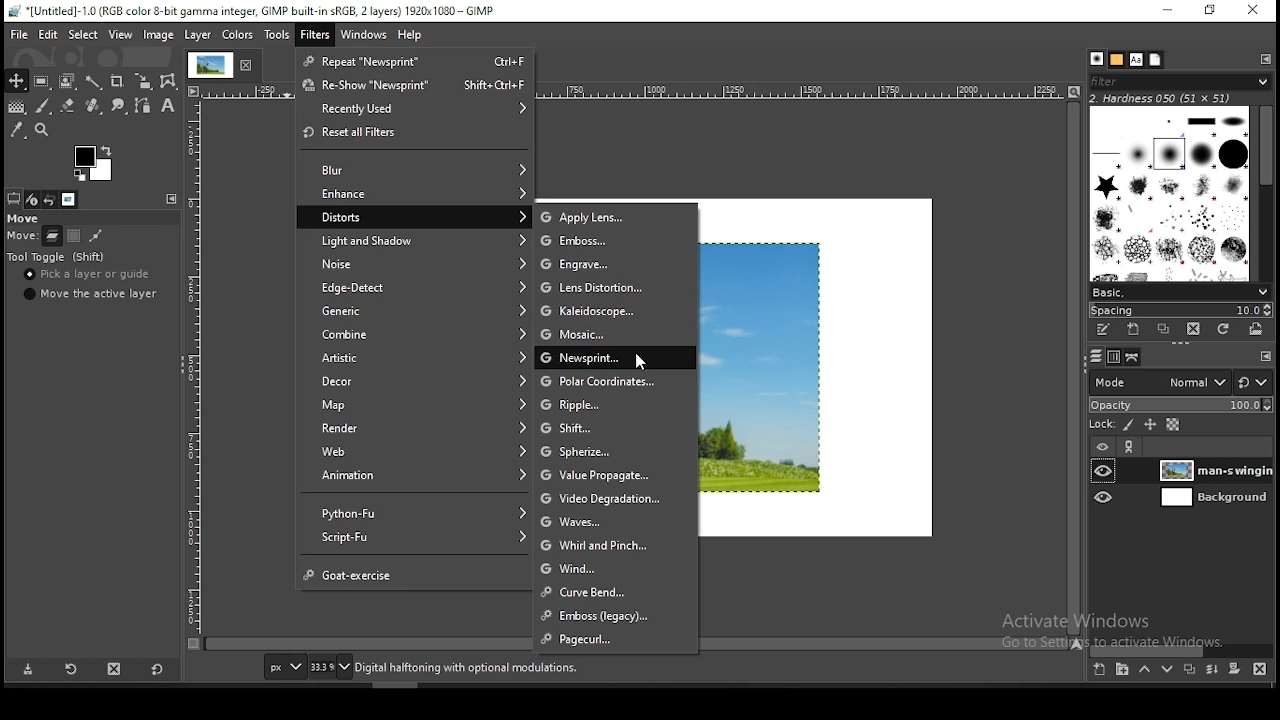 This screenshot has width=1280, height=720. I want to click on blend mode, so click(1157, 382).